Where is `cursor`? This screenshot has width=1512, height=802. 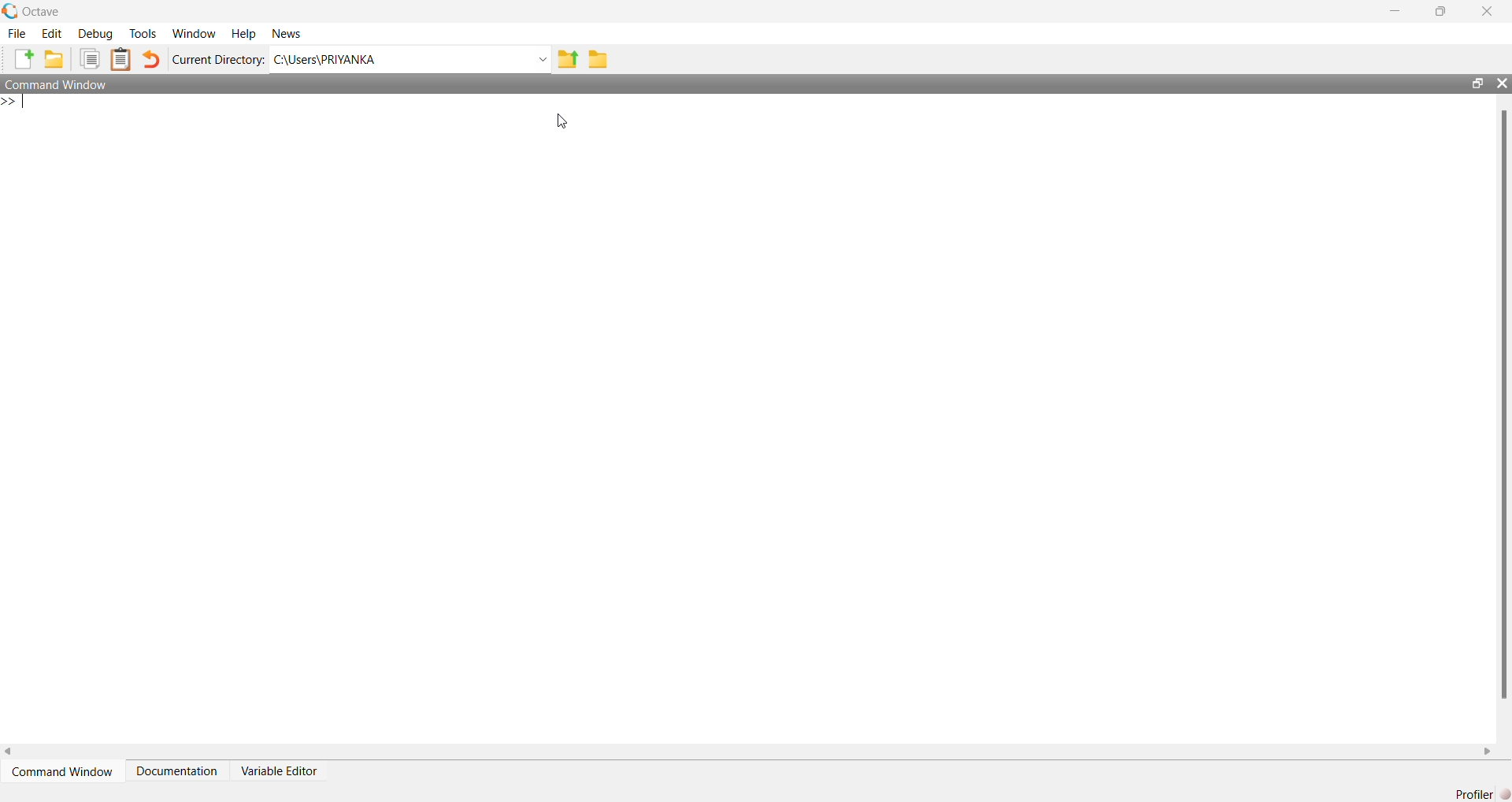 cursor is located at coordinates (561, 121).